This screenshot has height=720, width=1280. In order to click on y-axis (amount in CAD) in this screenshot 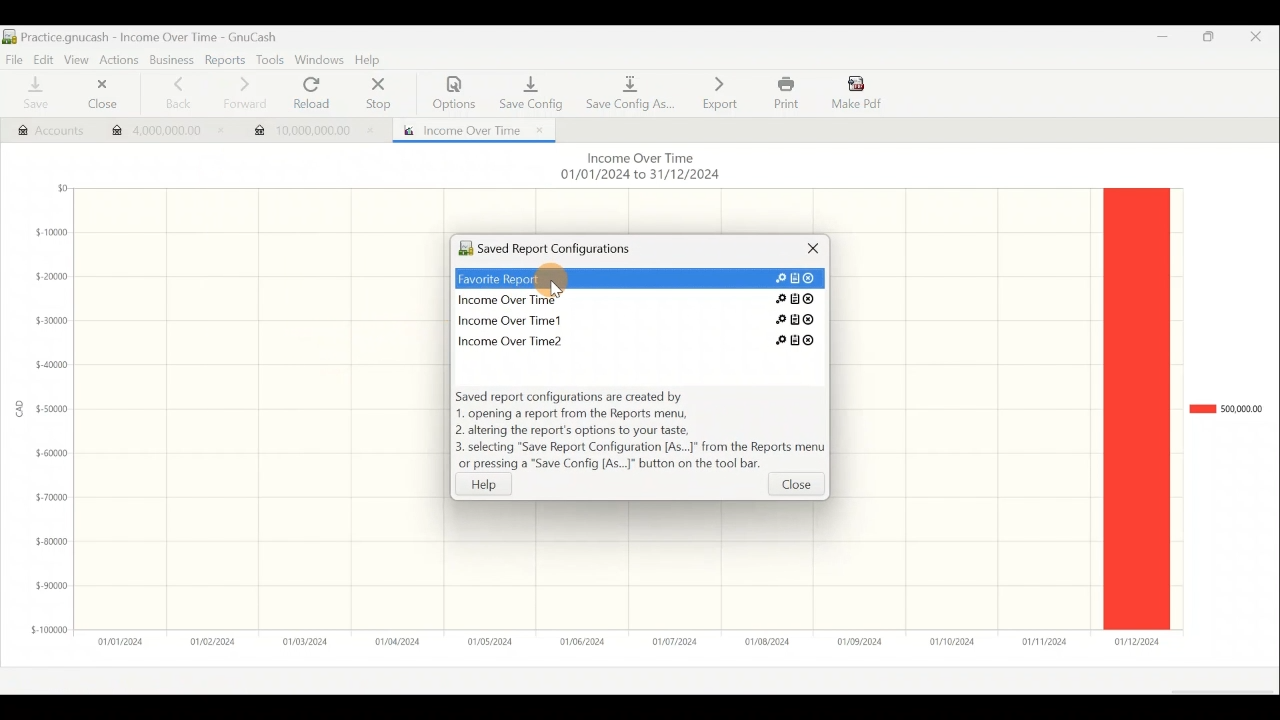, I will do `click(46, 417)`.